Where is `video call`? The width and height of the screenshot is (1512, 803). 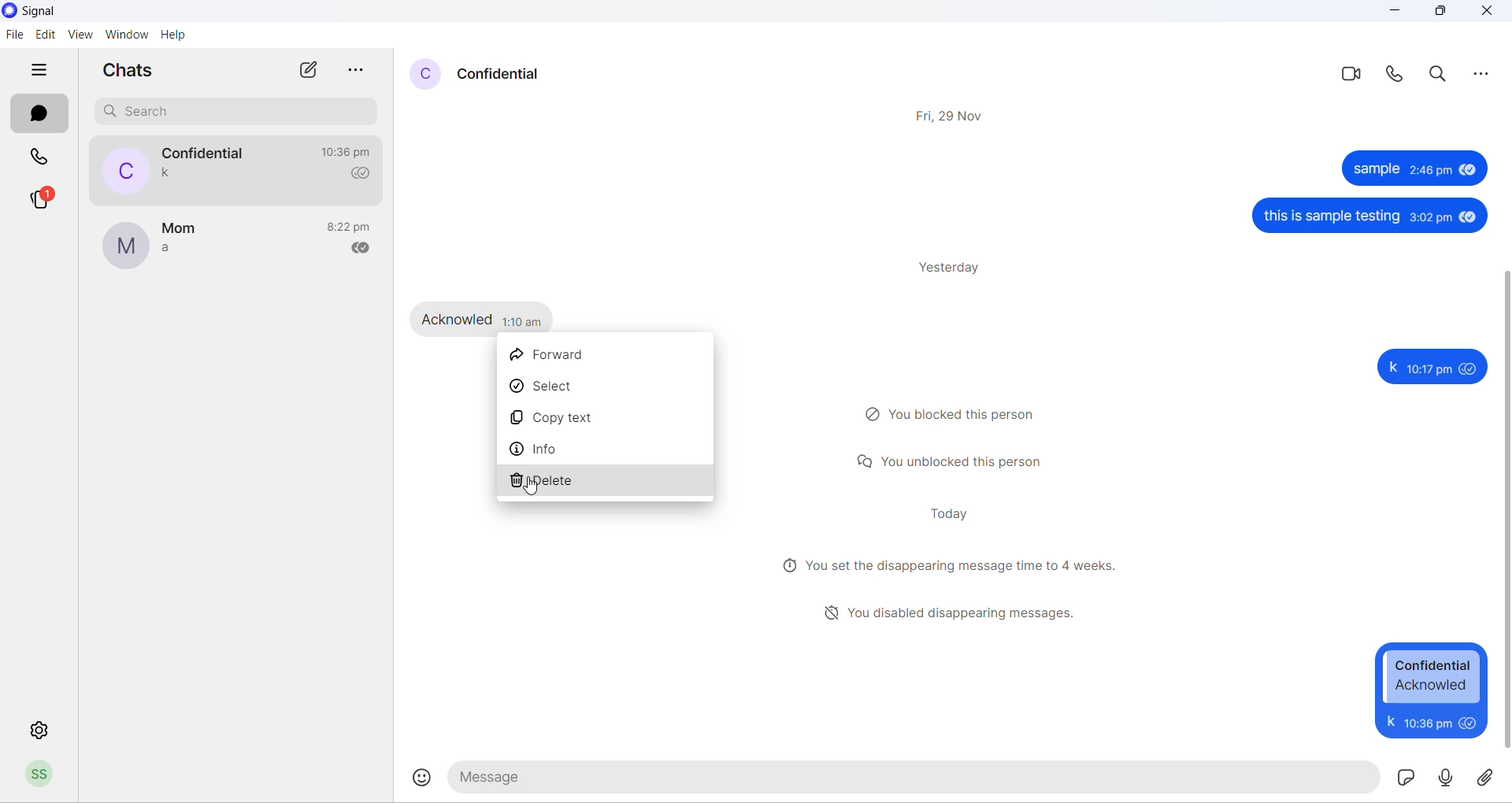 video call is located at coordinates (1349, 76).